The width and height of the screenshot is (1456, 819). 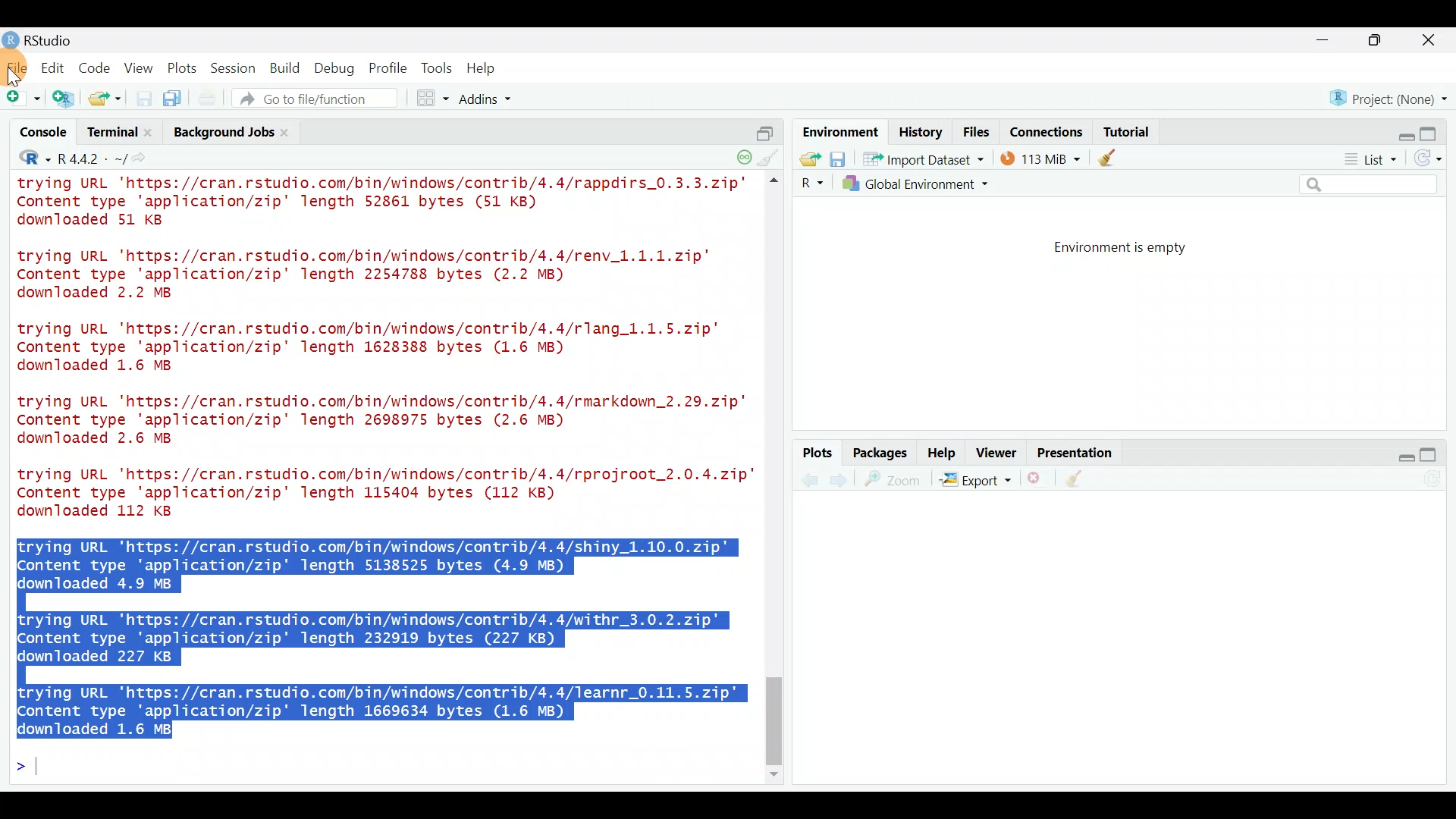 I want to click on RStudio, so click(x=45, y=40).